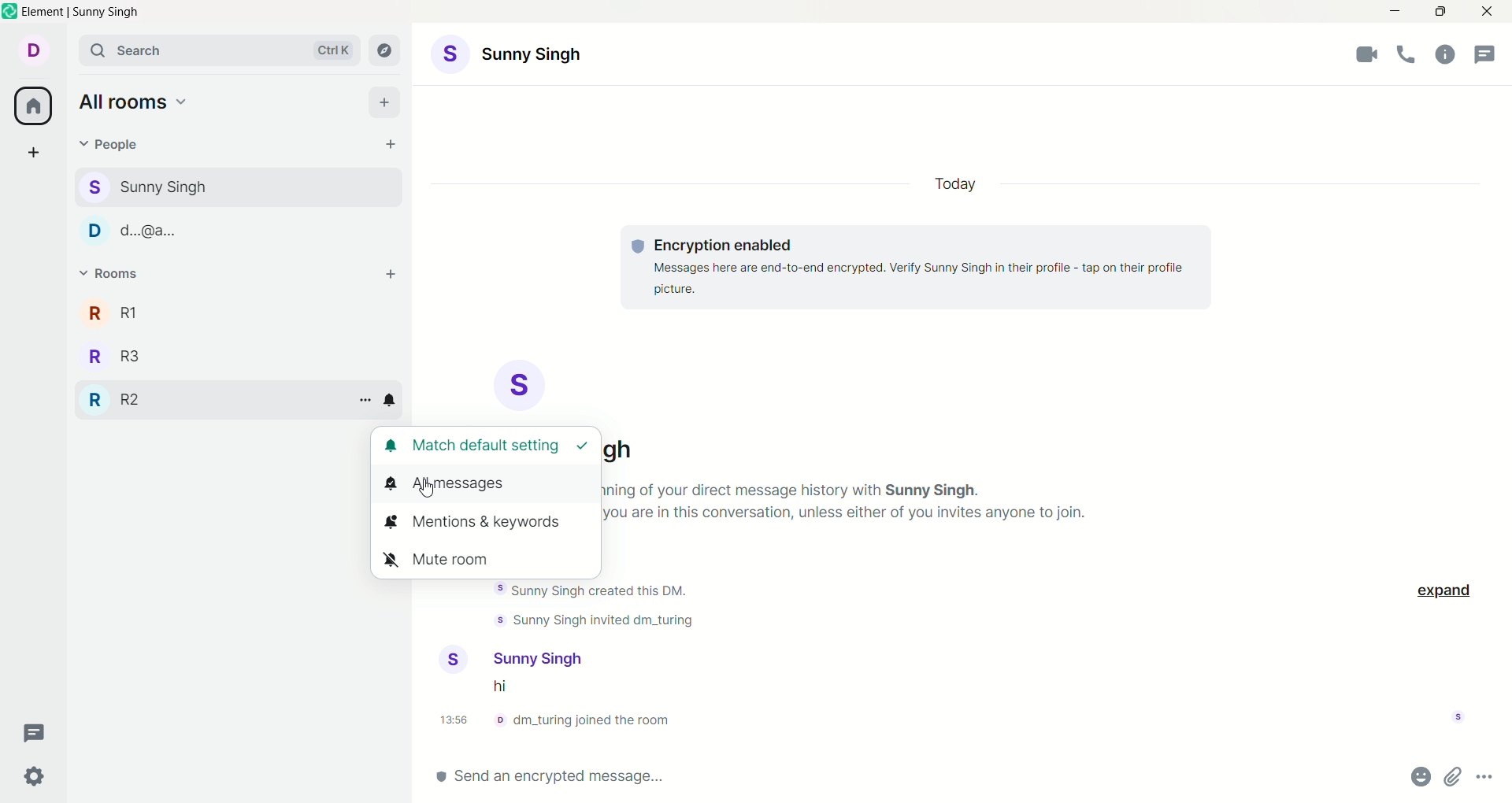  What do you see at coordinates (391, 275) in the screenshot?
I see `add` at bounding box center [391, 275].